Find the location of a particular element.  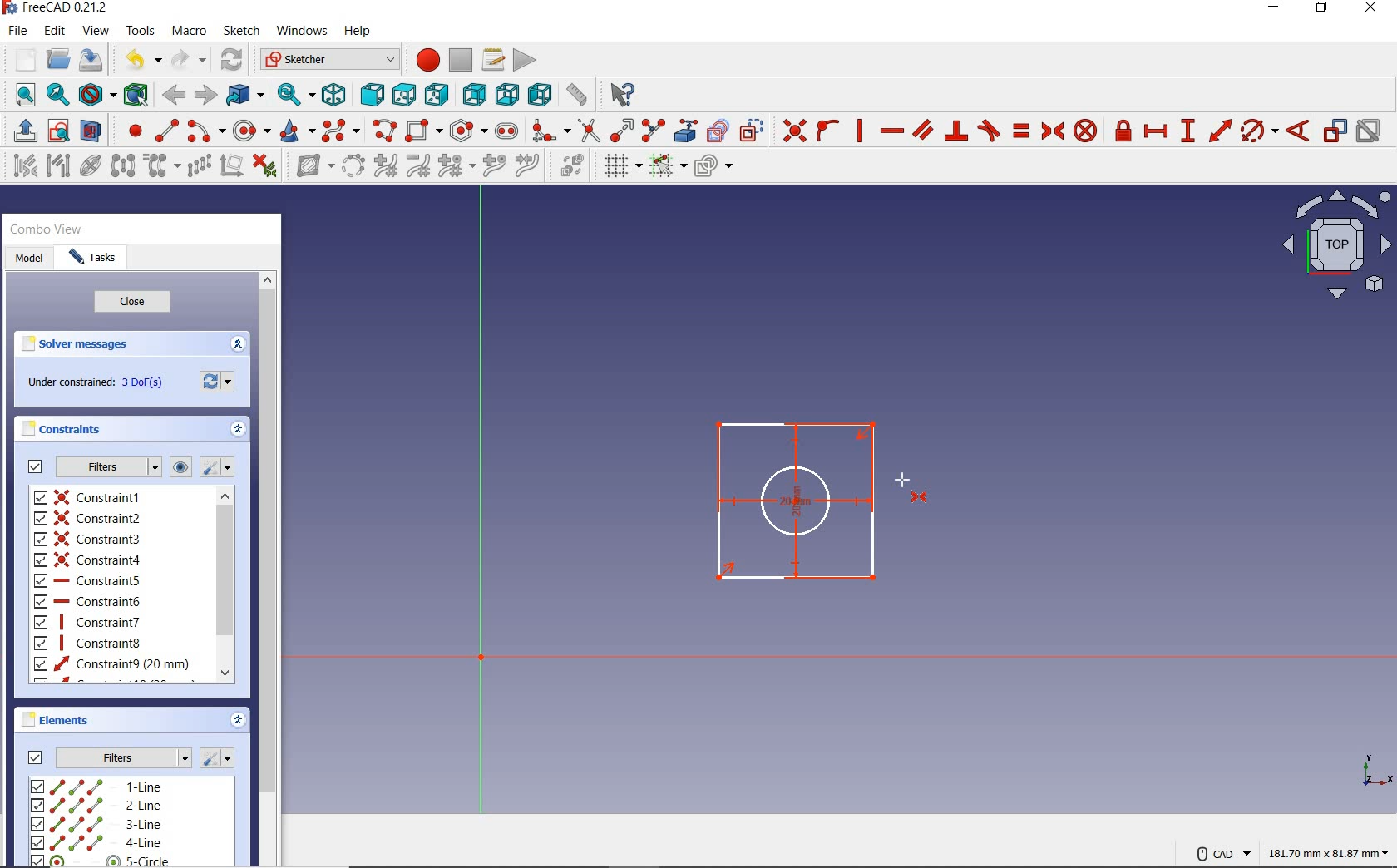

execute macro is located at coordinates (525, 62).